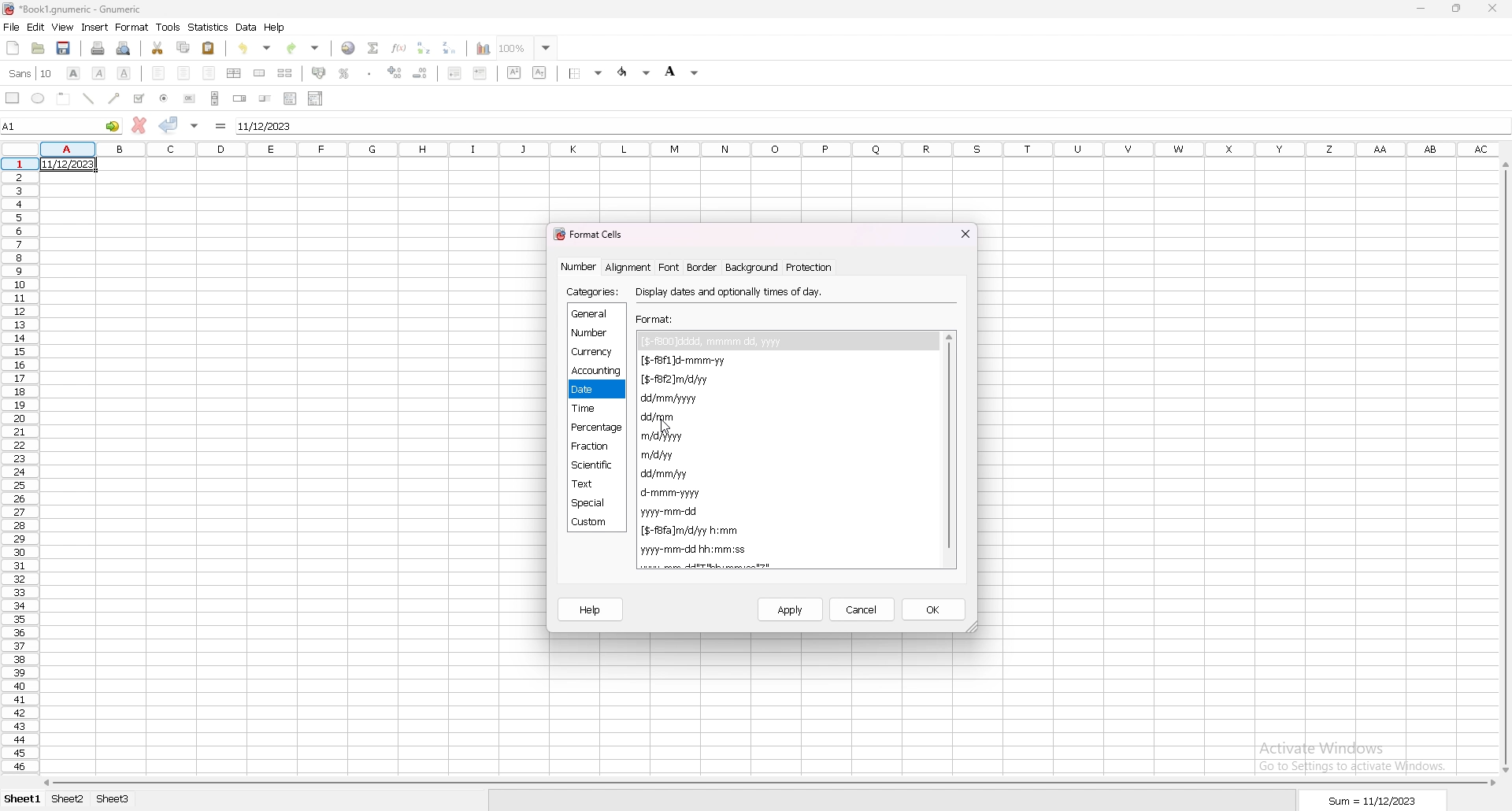  What do you see at coordinates (215, 98) in the screenshot?
I see `scroll bar` at bounding box center [215, 98].